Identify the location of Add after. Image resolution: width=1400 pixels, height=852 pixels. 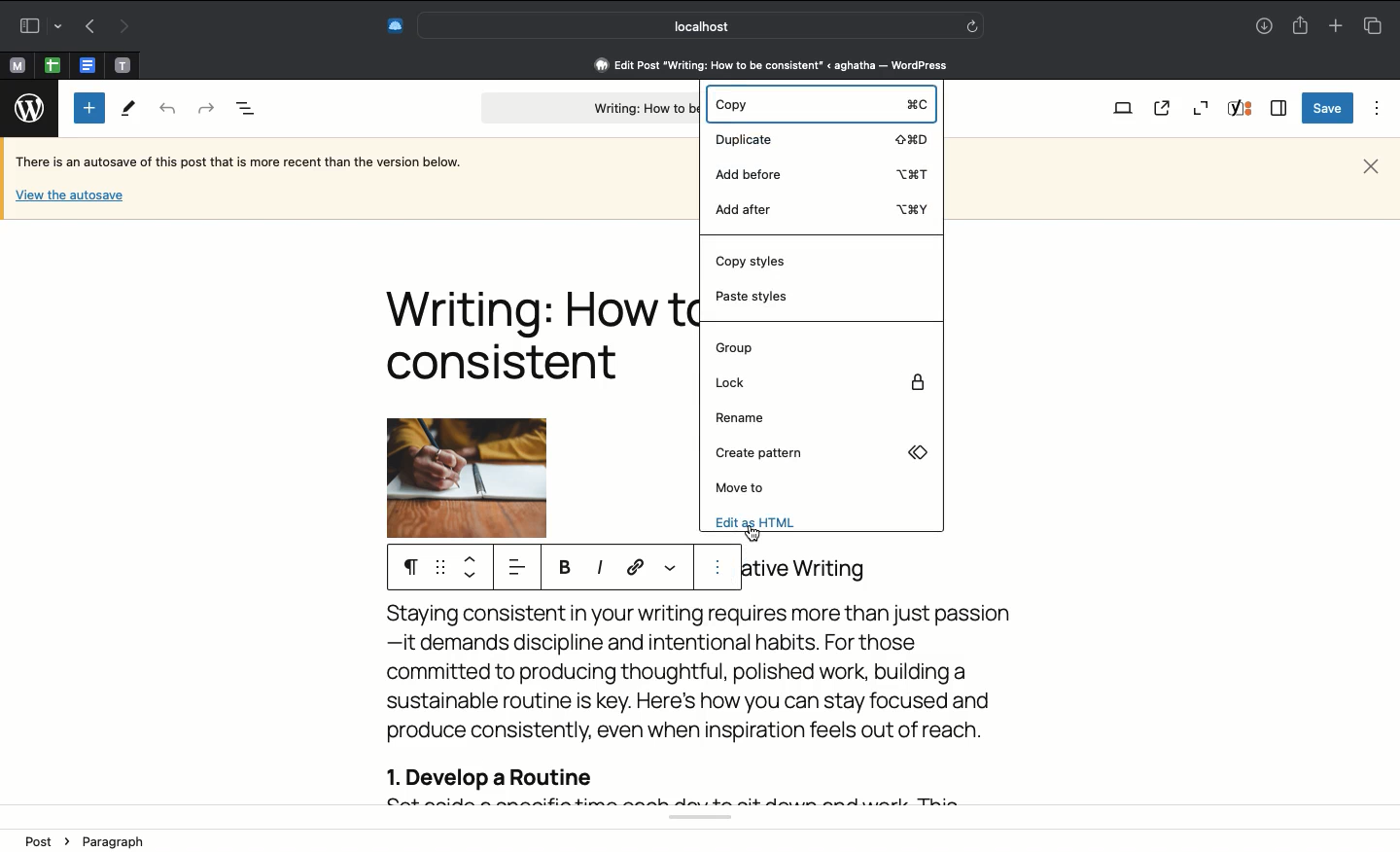
(822, 207).